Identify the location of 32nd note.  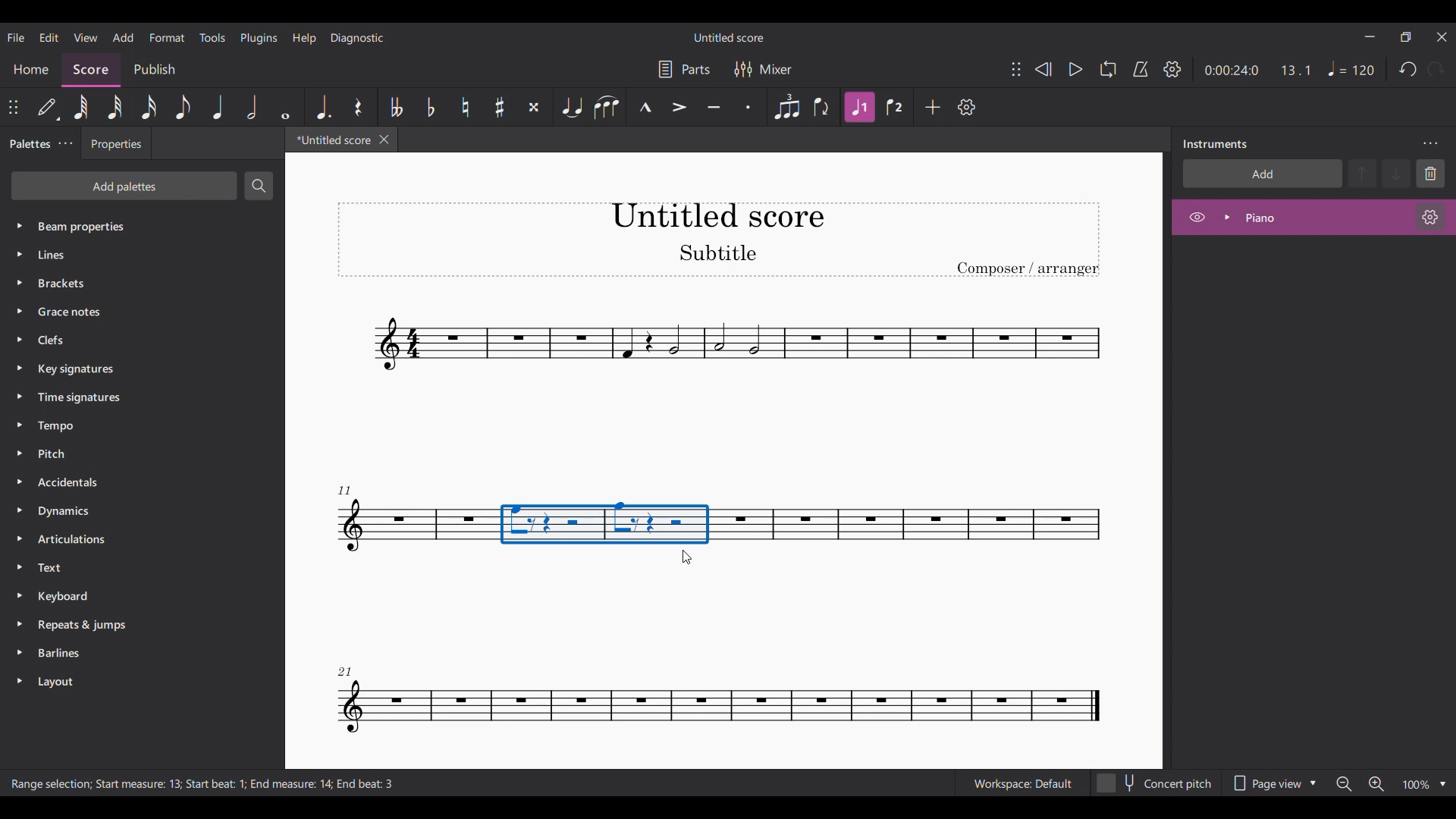
(115, 107).